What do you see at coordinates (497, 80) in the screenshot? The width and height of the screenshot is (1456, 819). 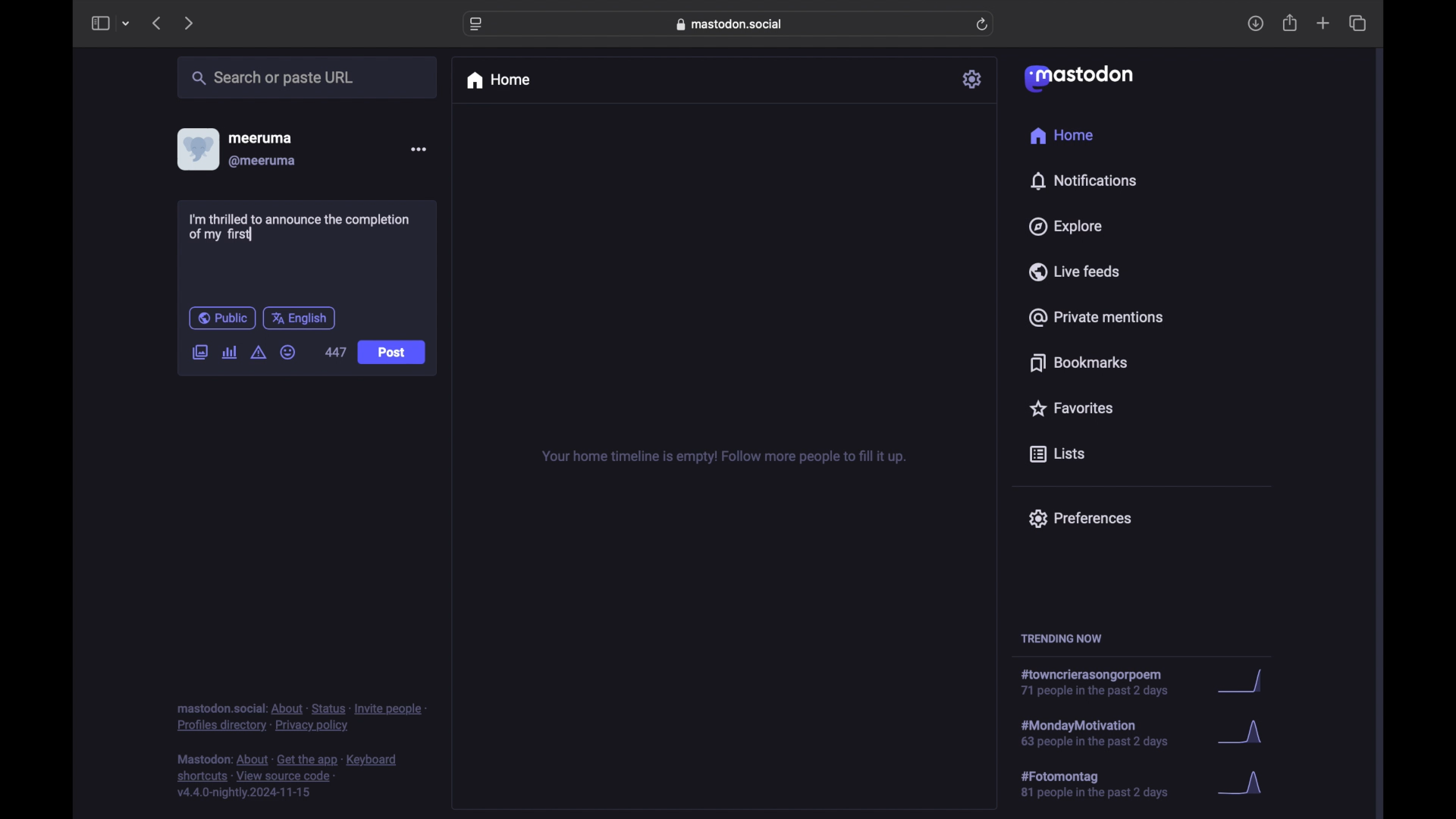 I see `home` at bounding box center [497, 80].